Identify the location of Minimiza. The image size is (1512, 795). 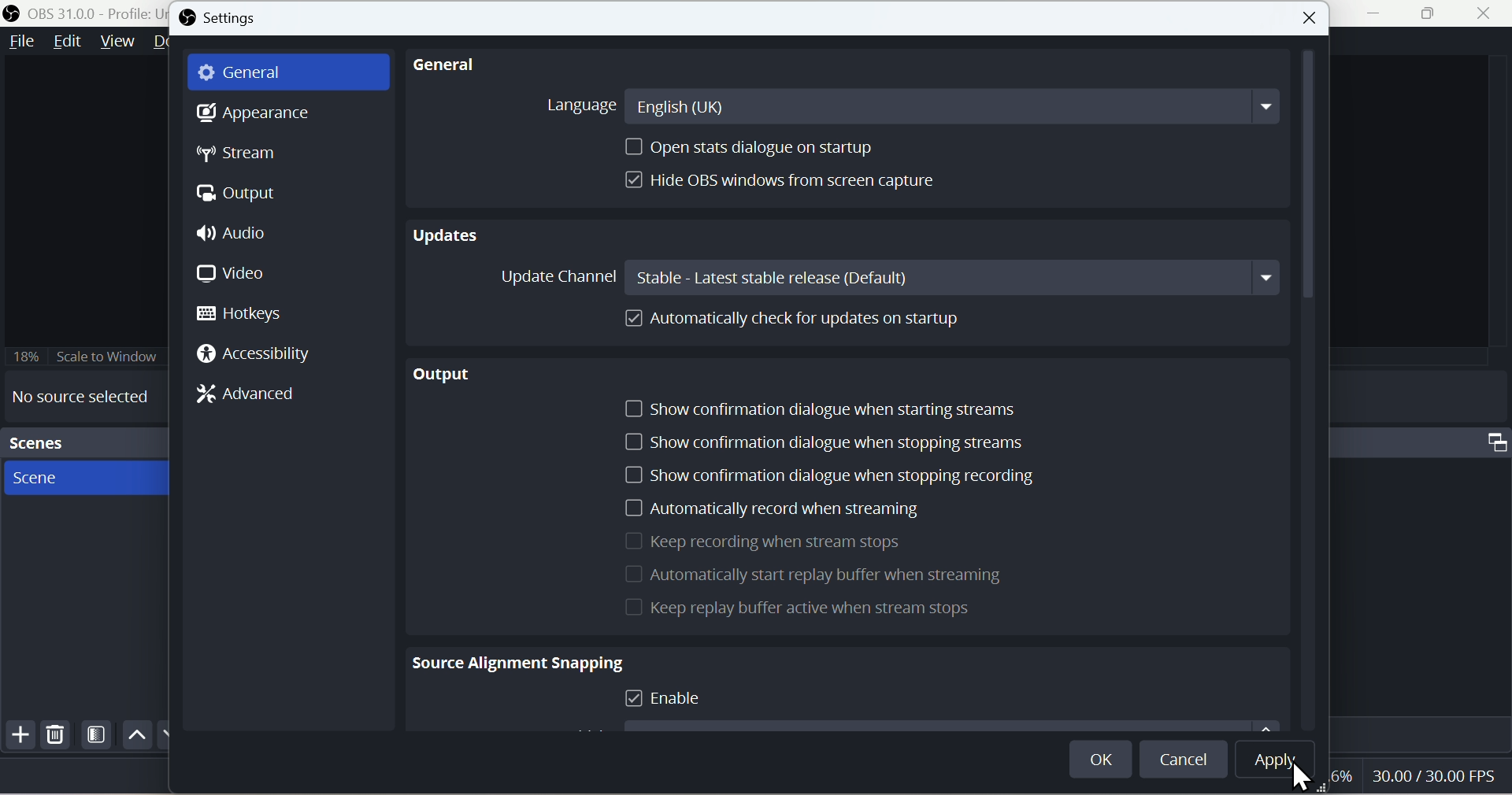
(1371, 14).